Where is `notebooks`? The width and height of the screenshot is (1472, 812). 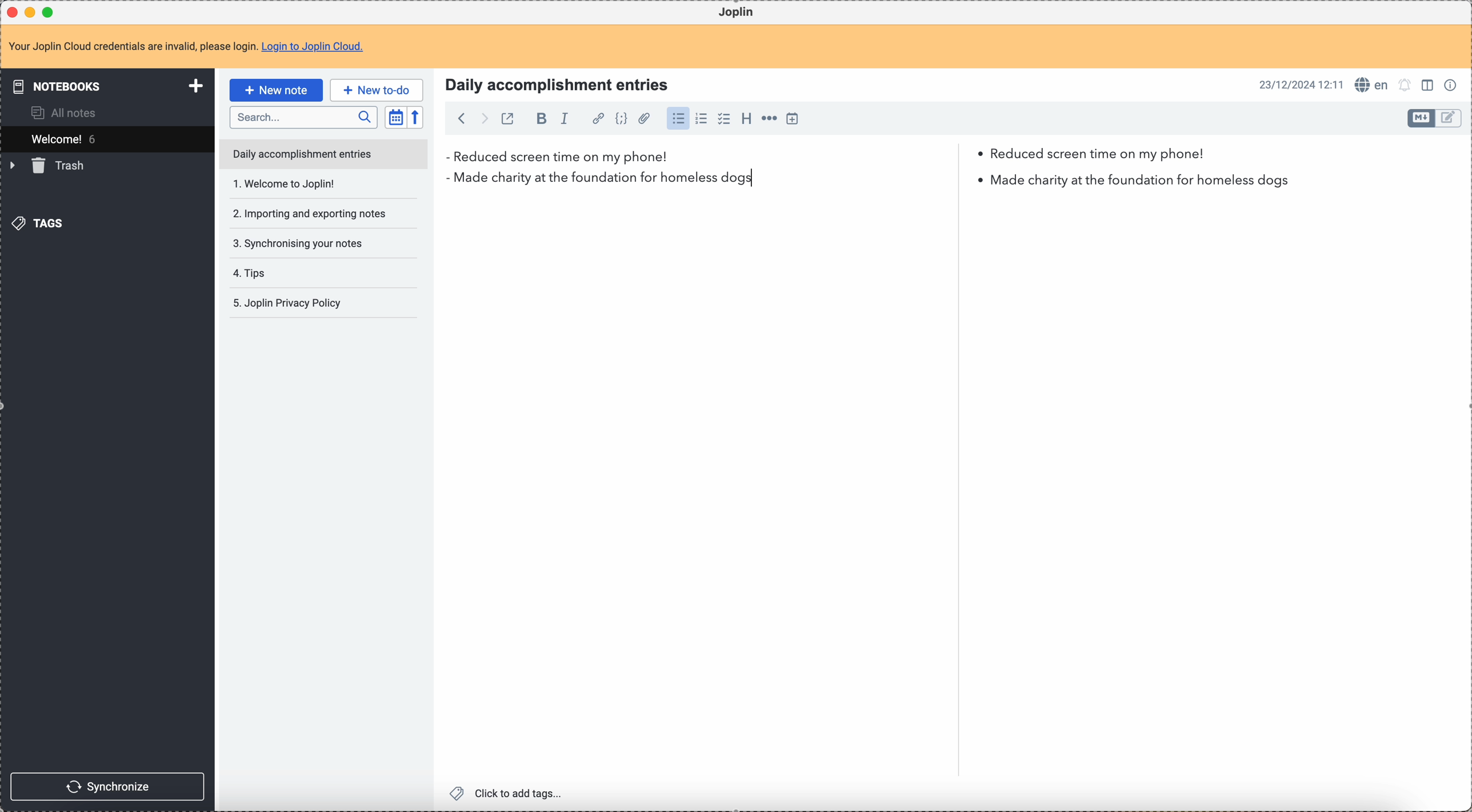 notebooks is located at coordinates (105, 85).